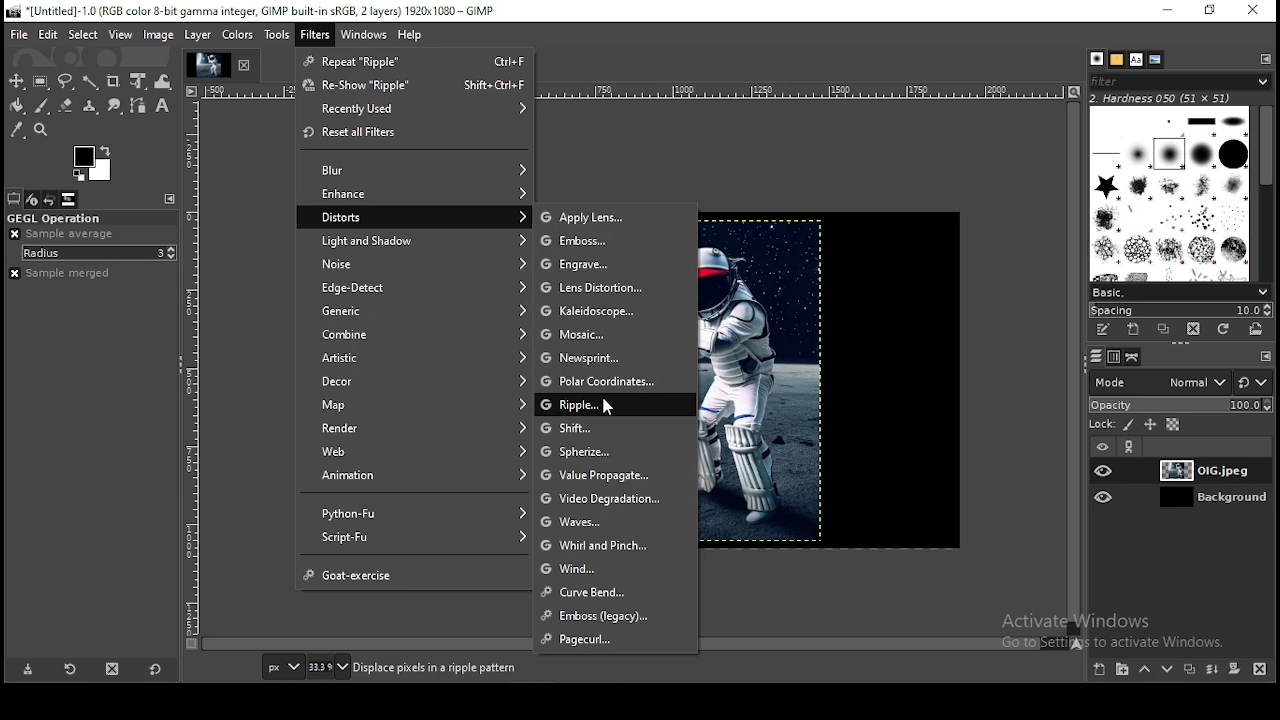 The image size is (1280, 720). What do you see at coordinates (1098, 58) in the screenshot?
I see `brushes` at bounding box center [1098, 58].